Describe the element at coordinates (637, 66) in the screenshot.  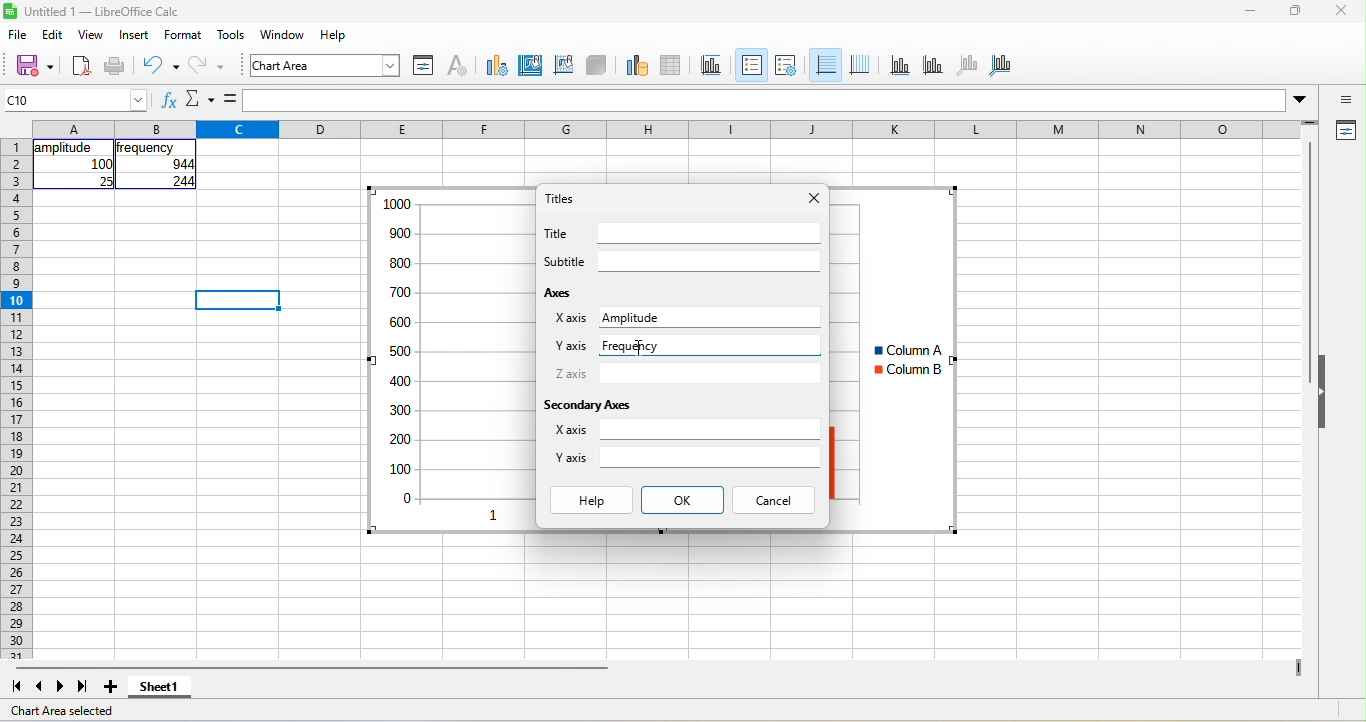
I see `data range` at that location.